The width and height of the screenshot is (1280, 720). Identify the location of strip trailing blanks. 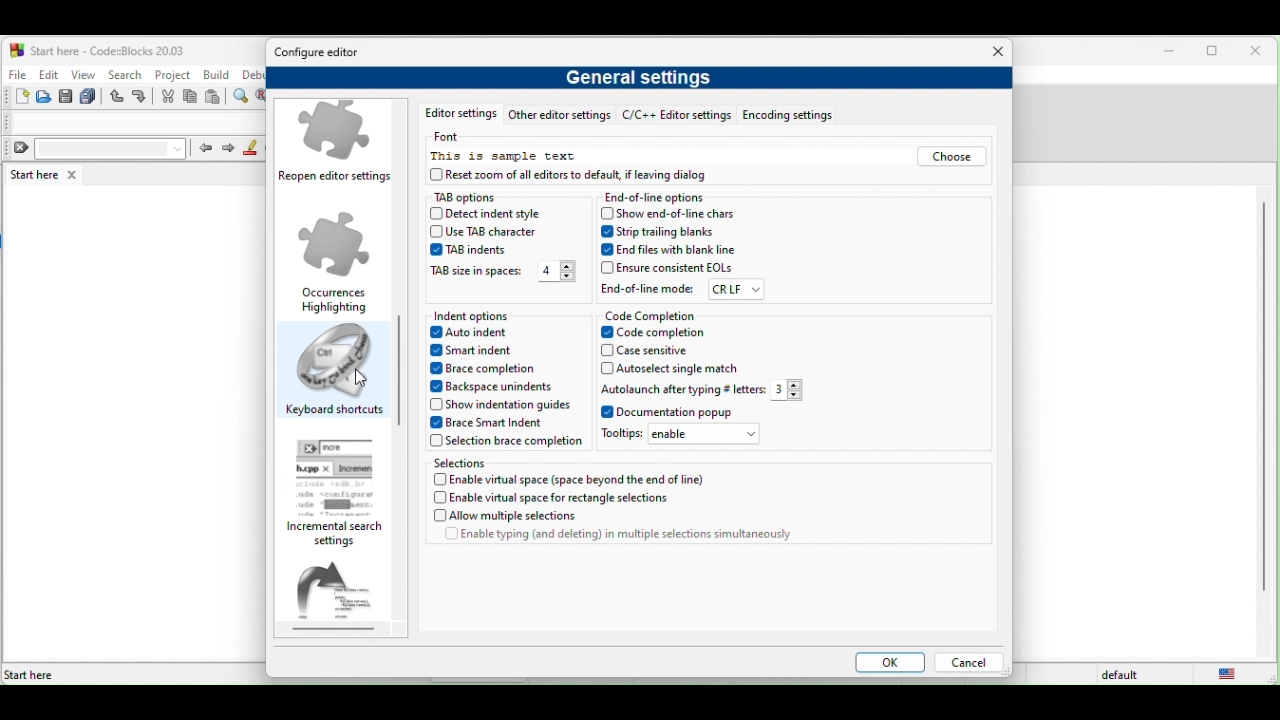
(662, 232).